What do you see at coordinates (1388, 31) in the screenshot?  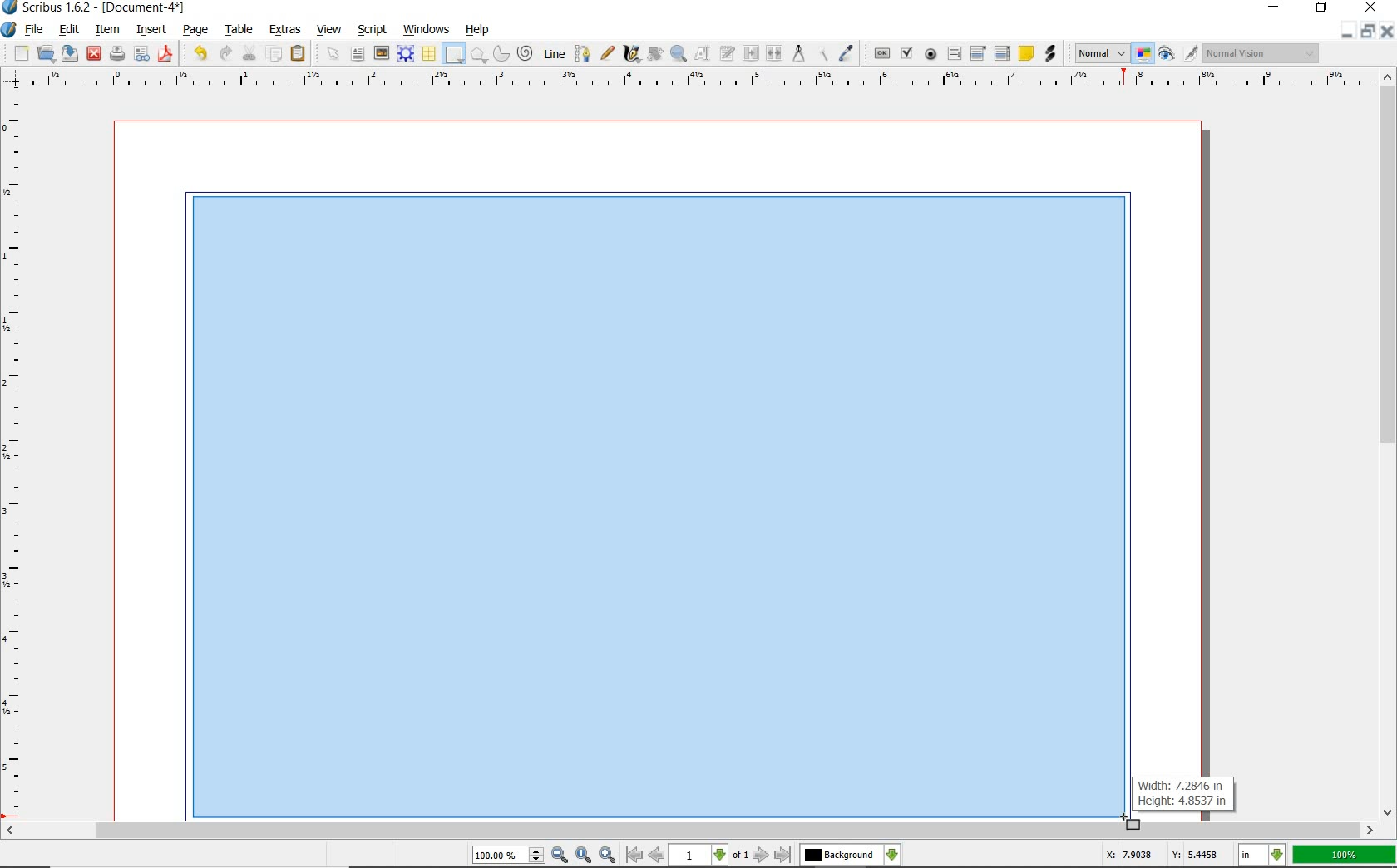 I see `close` at bounding box center [1388, 31].